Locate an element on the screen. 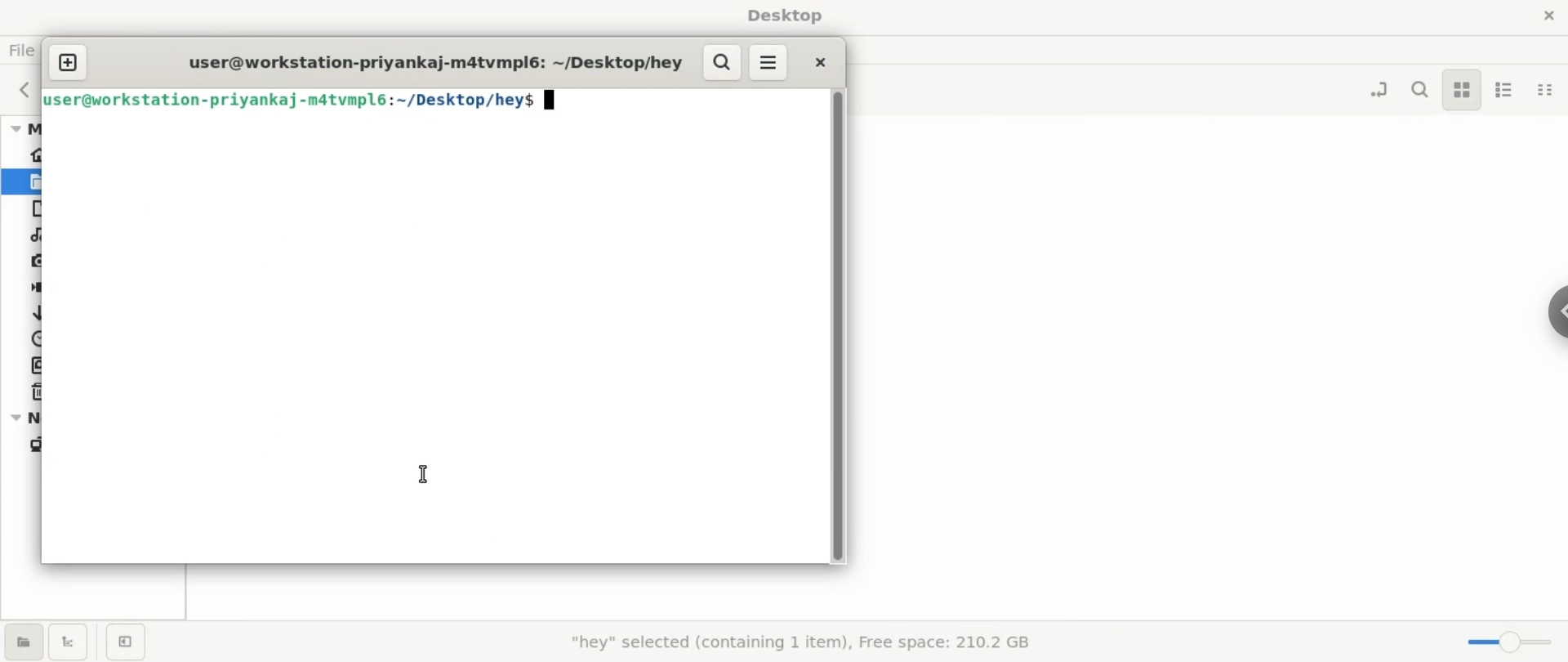 Image resolution: width=1568 pixels, height=662 pixels. icon view is located at coordinates (1463, 92).